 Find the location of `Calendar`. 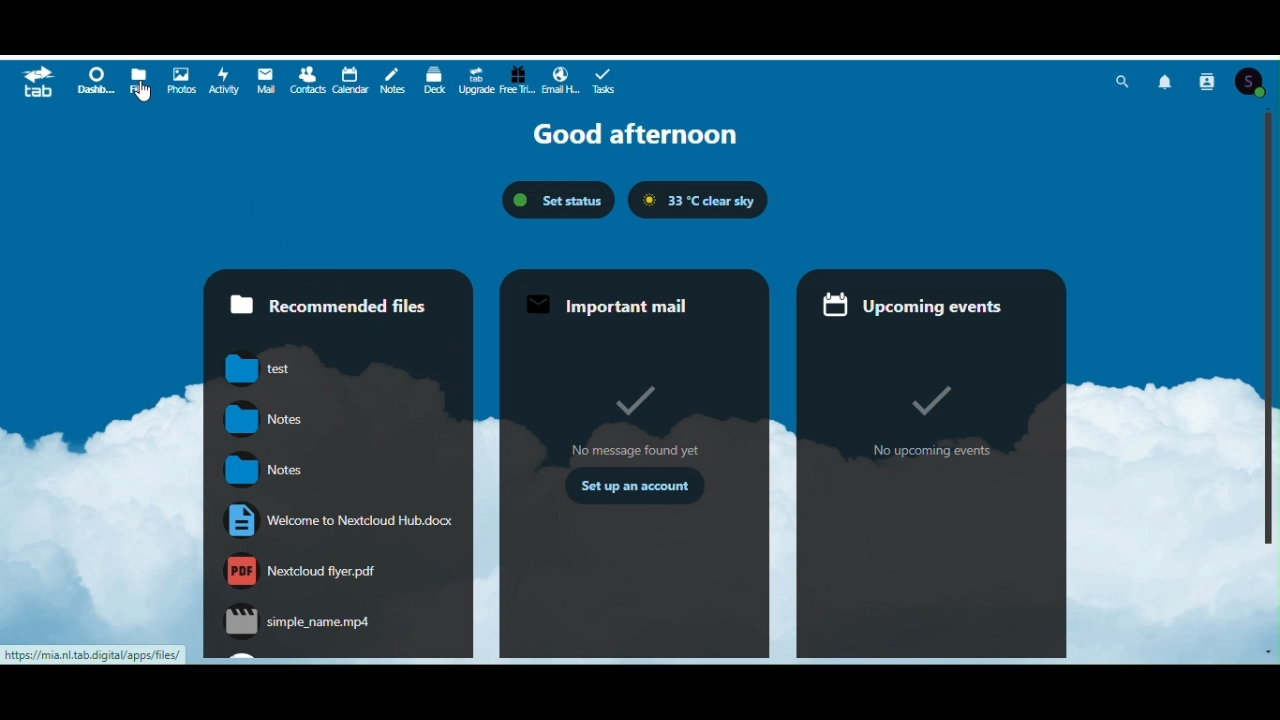

Calendar is located at coordinates (351, 79).